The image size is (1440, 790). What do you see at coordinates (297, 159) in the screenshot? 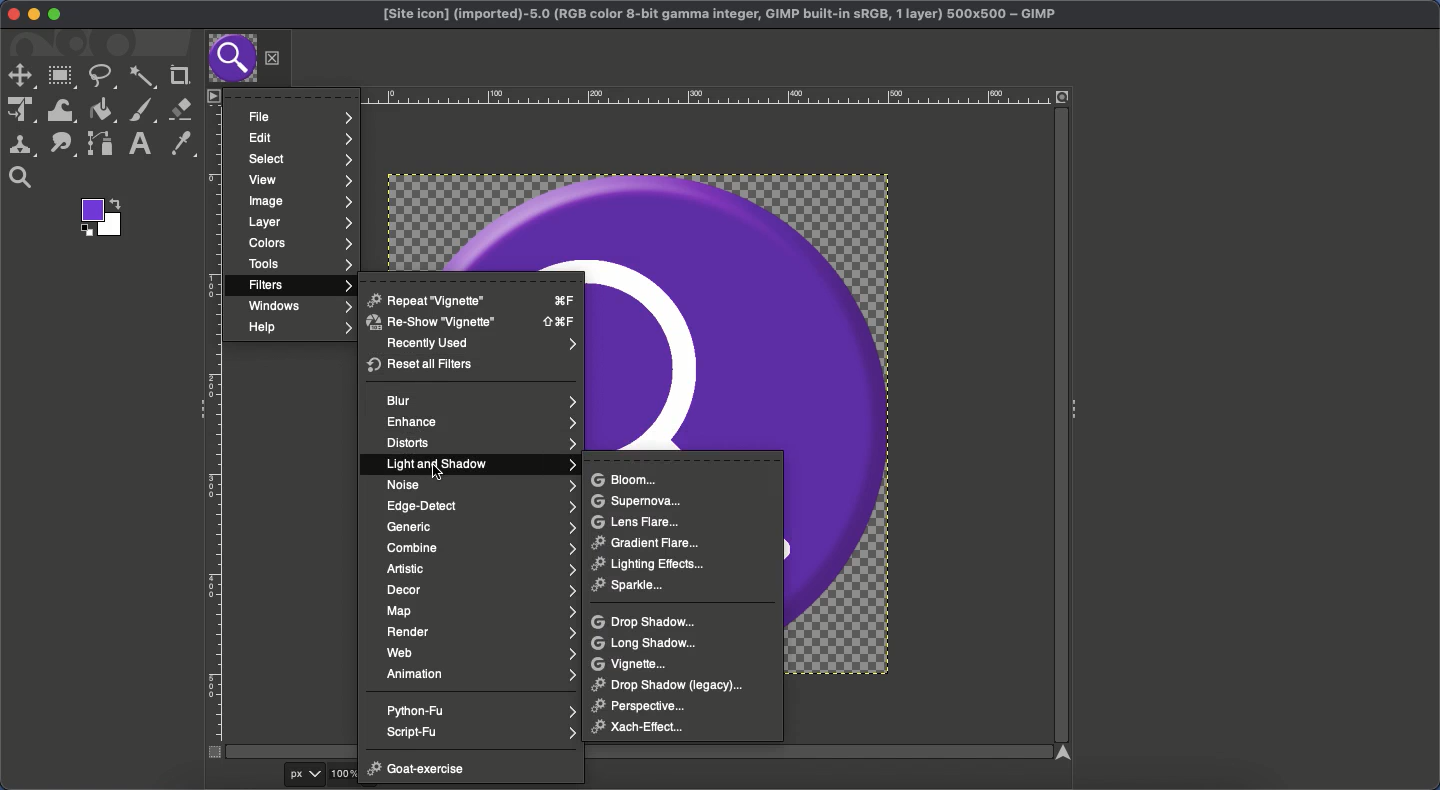
I see `Select` at bounding box center [297, 159].